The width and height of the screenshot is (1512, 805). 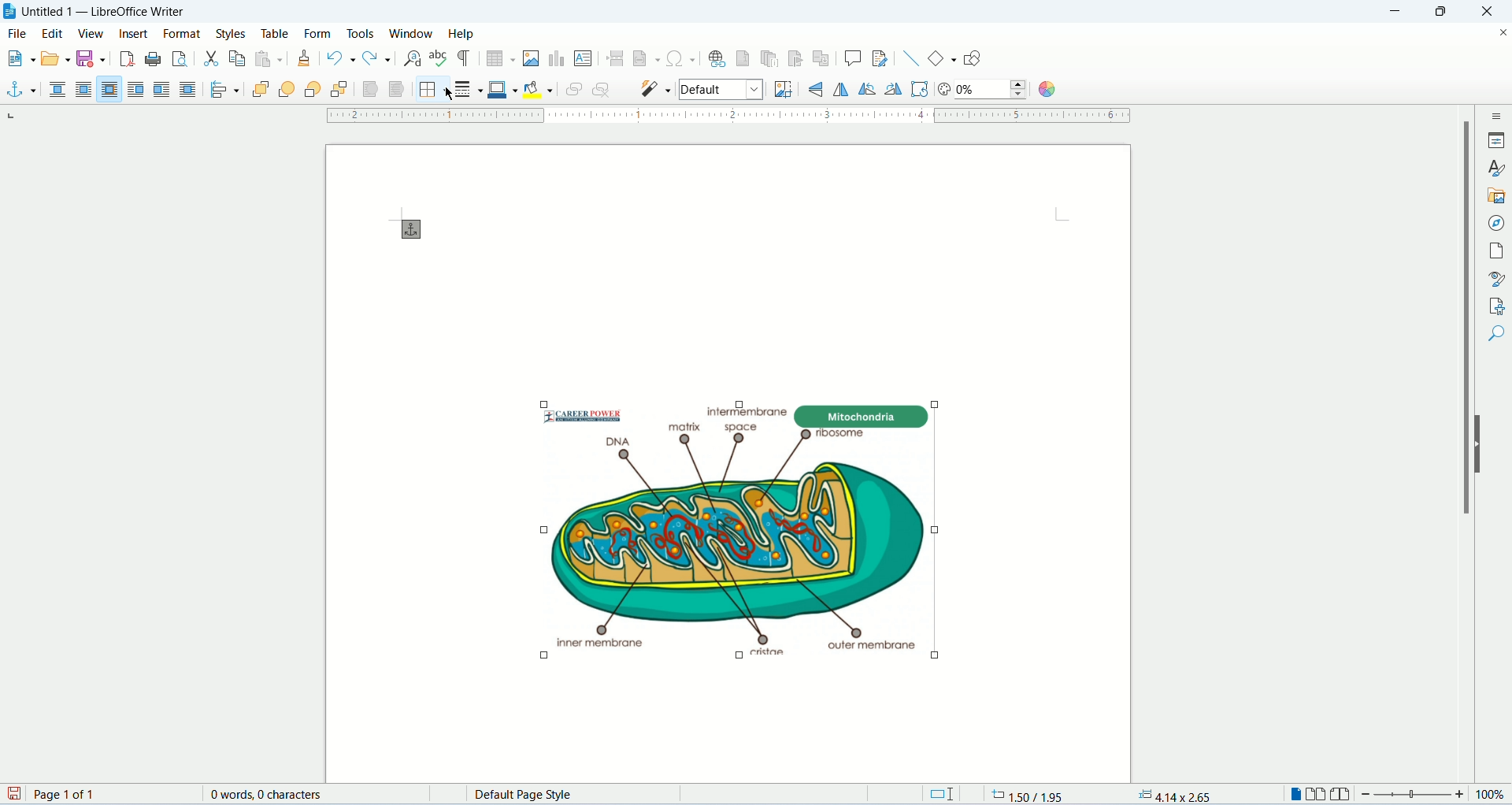 I want to click on track changes, so click(x=880, y=58).